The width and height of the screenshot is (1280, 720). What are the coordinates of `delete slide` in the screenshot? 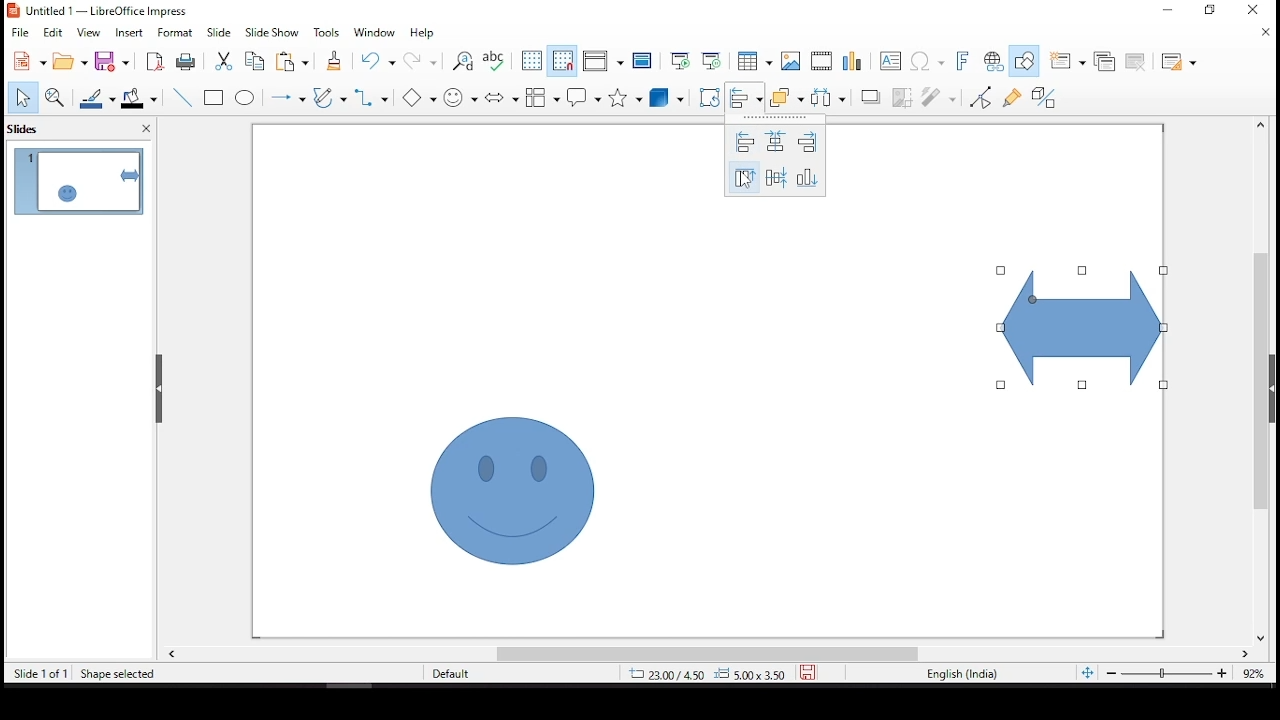 It's located at (1139, 62).